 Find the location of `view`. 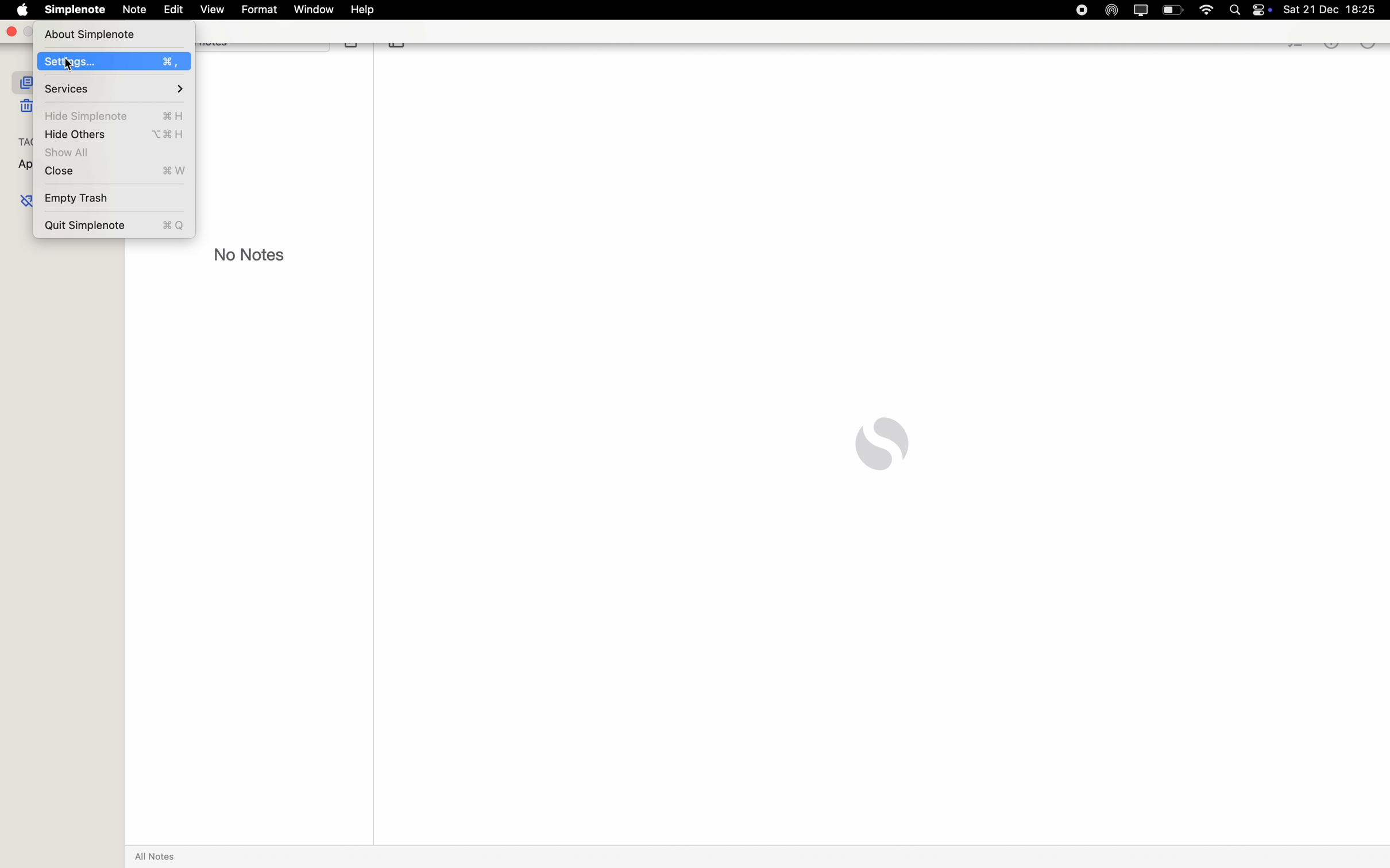

view is located at coordinates (211, 9).